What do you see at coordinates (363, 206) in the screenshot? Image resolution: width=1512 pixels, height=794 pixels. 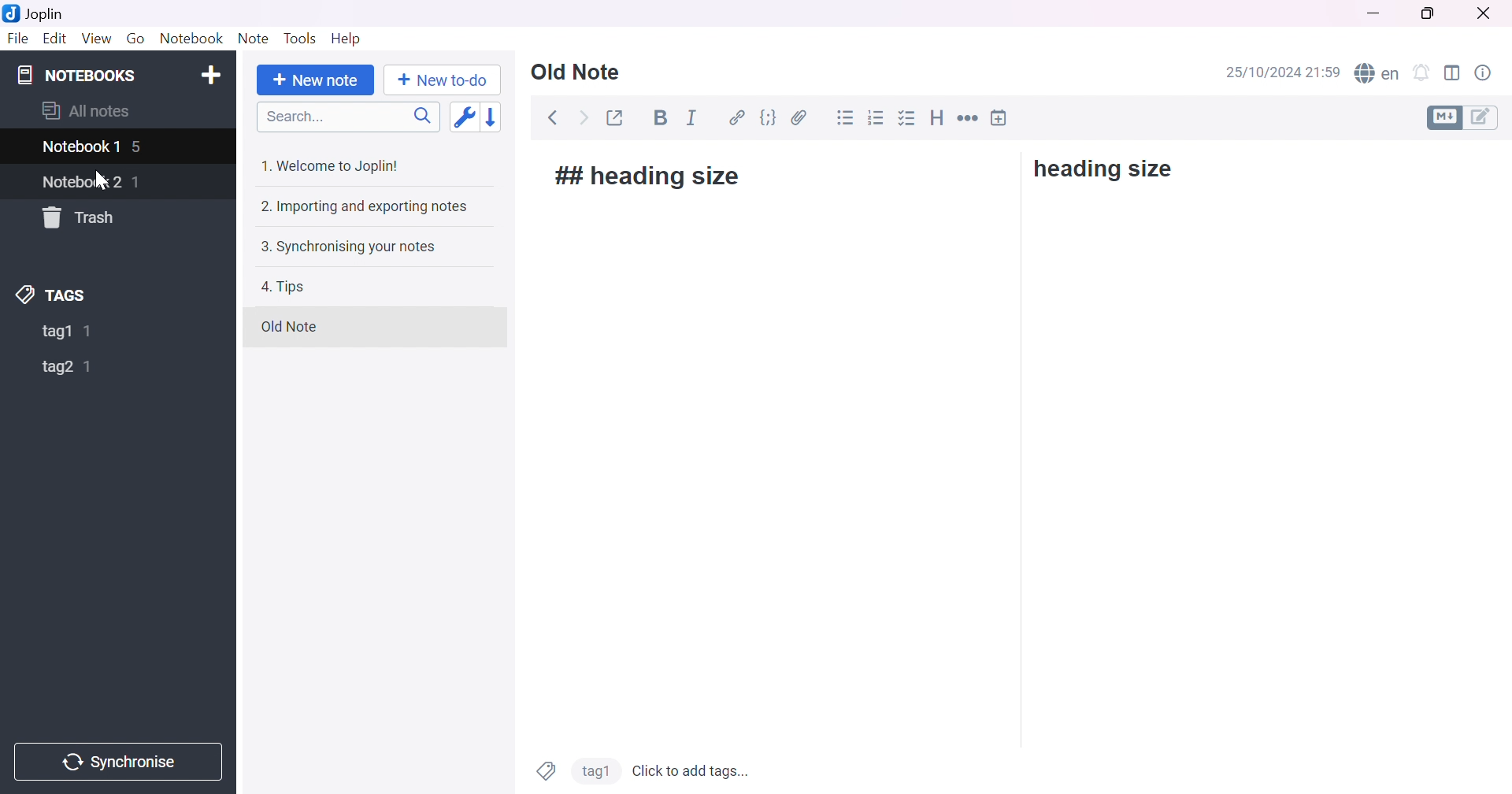 I see `2. Importing and exporting notes` at bounding box center [363, 206].